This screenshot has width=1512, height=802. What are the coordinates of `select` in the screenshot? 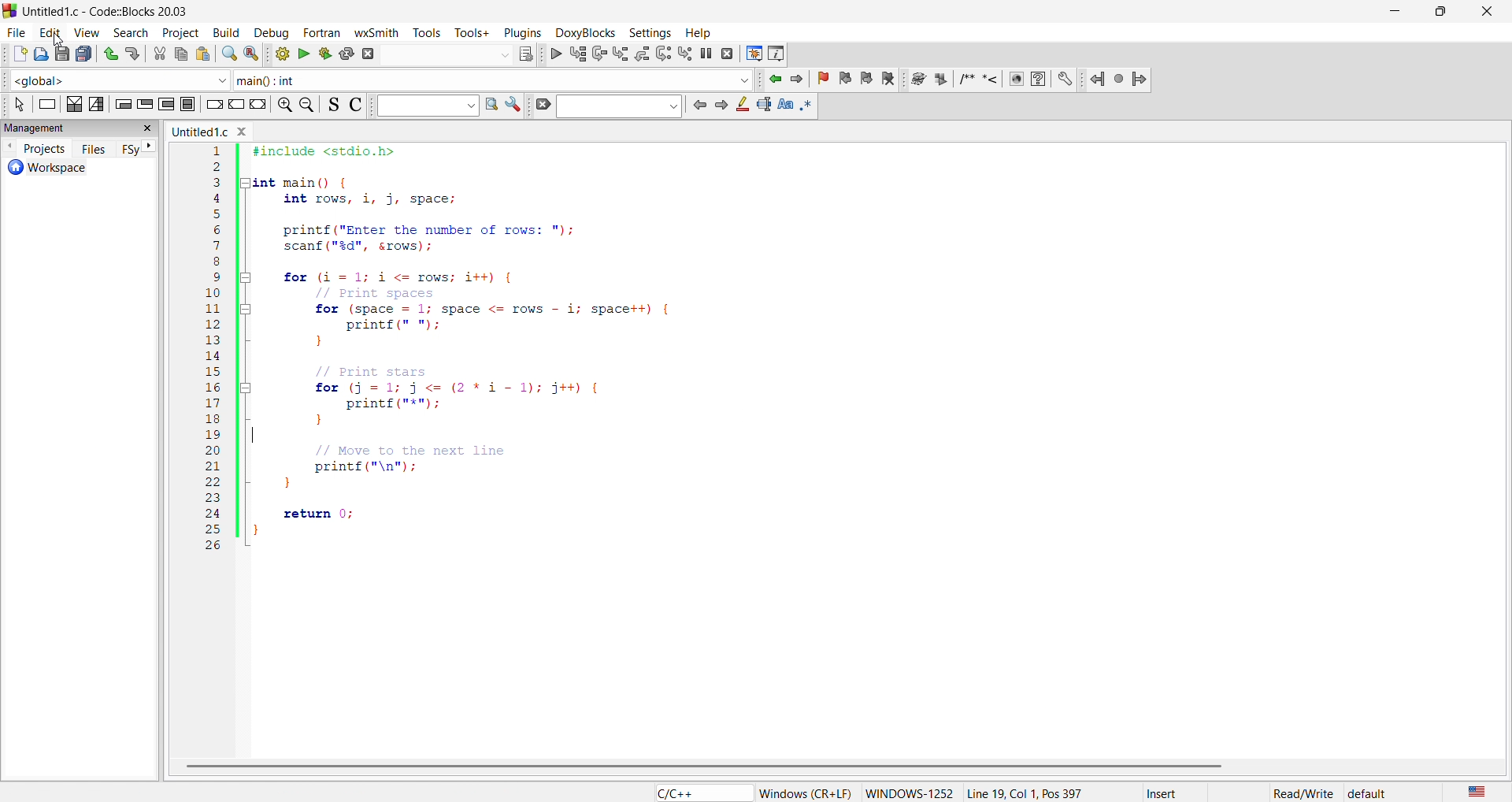 It's located at (13, 104).